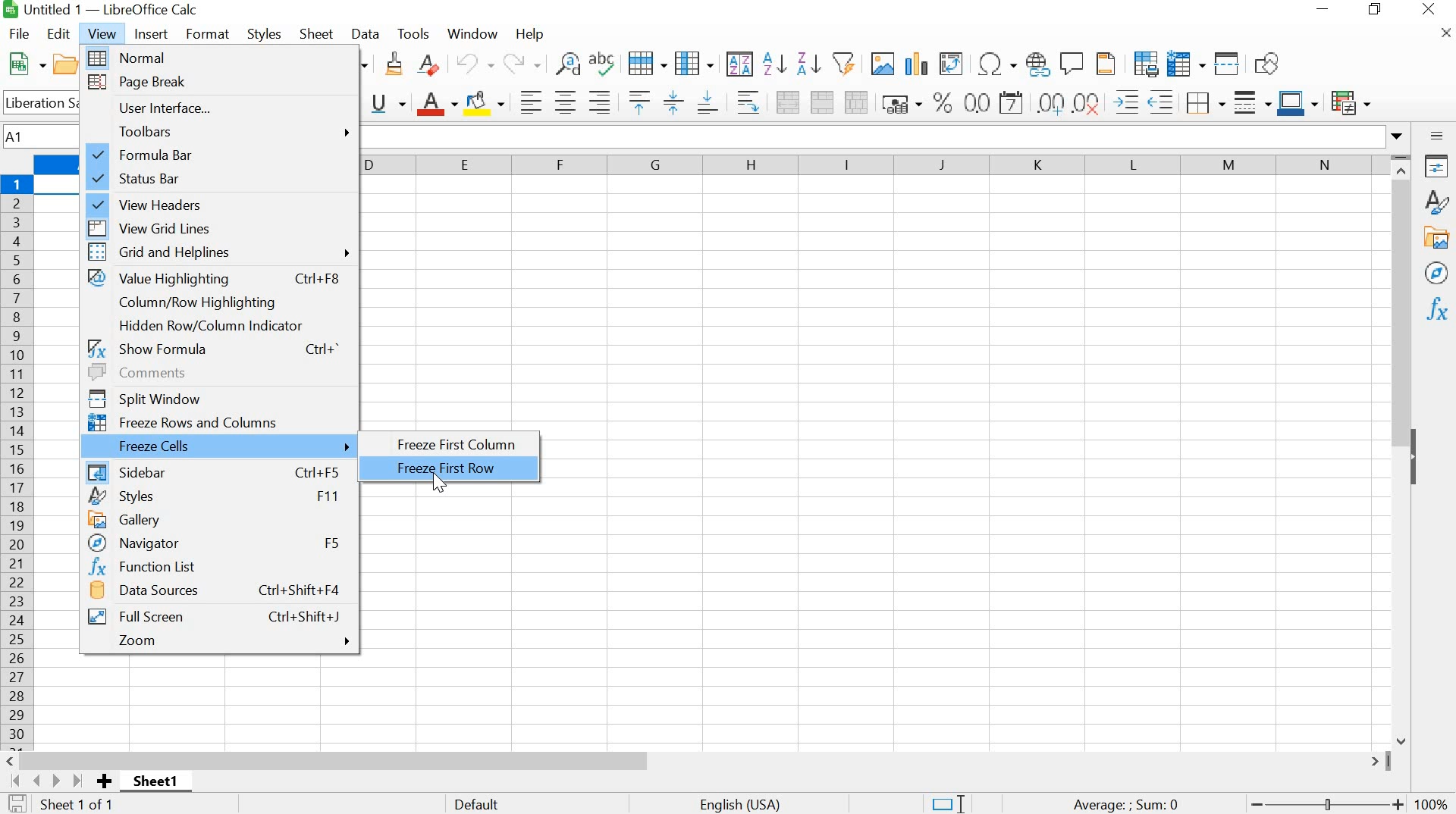 The image size is (1456, 814). I want to click on ZOOM FACTOR, so click(1433, 794).